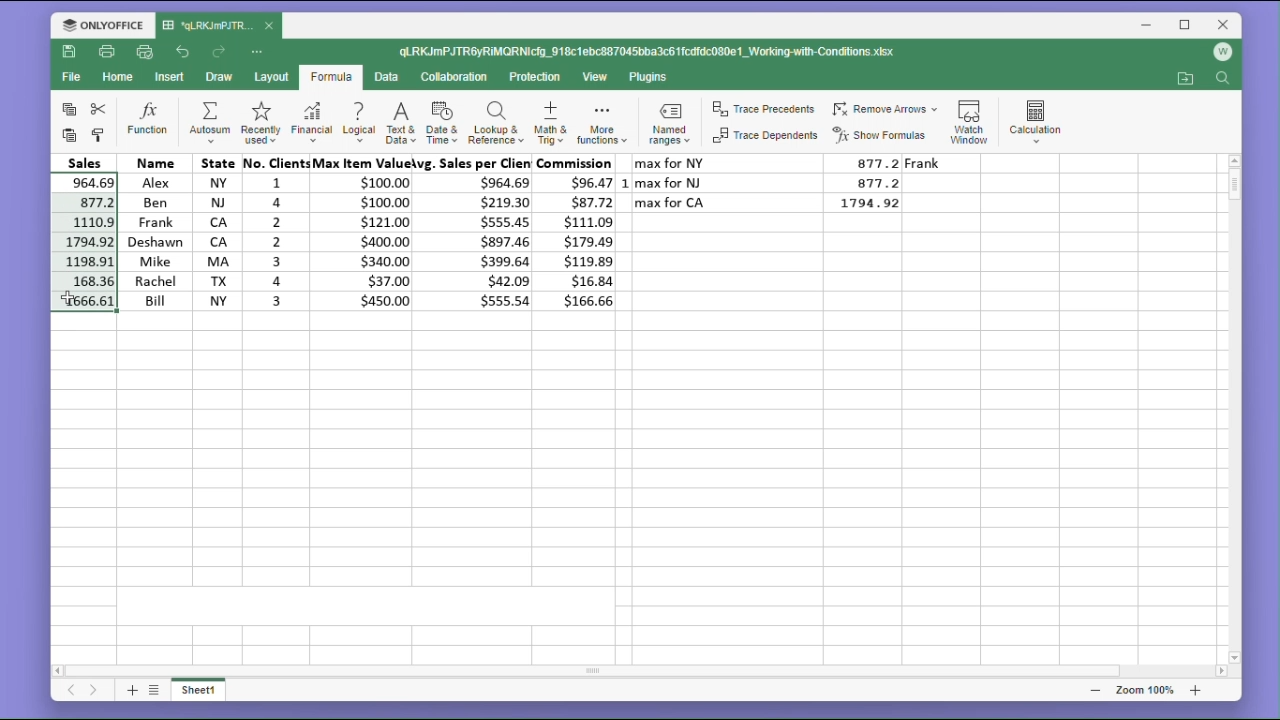 The height and width of the screenshot is (720, 1280). What do you see at coordinates (774, 182) in the screenshot?
I see `max for NJ 877.2` at bounding box center [774, 182].